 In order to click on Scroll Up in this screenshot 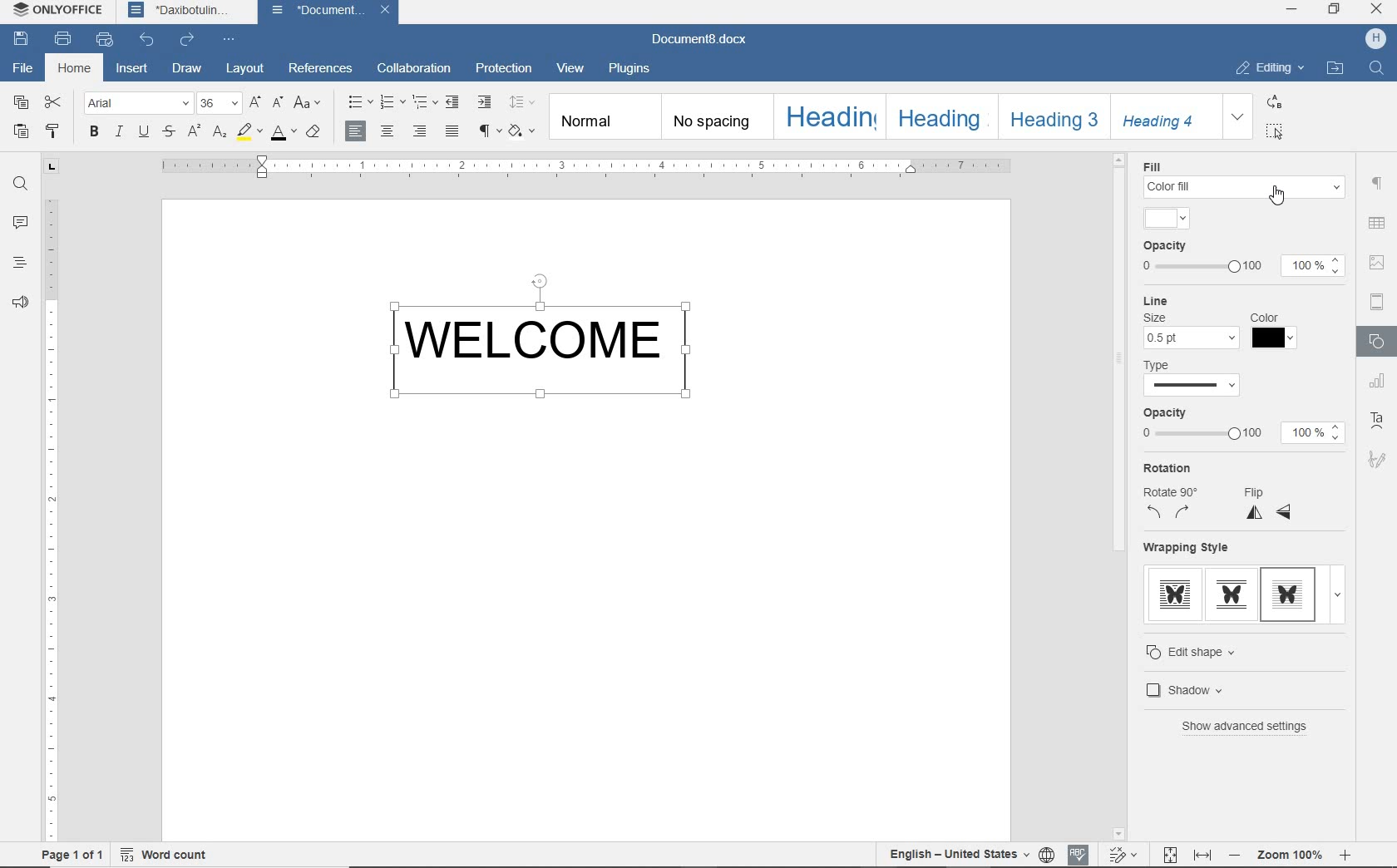, I will do `click(1119, 159)`.